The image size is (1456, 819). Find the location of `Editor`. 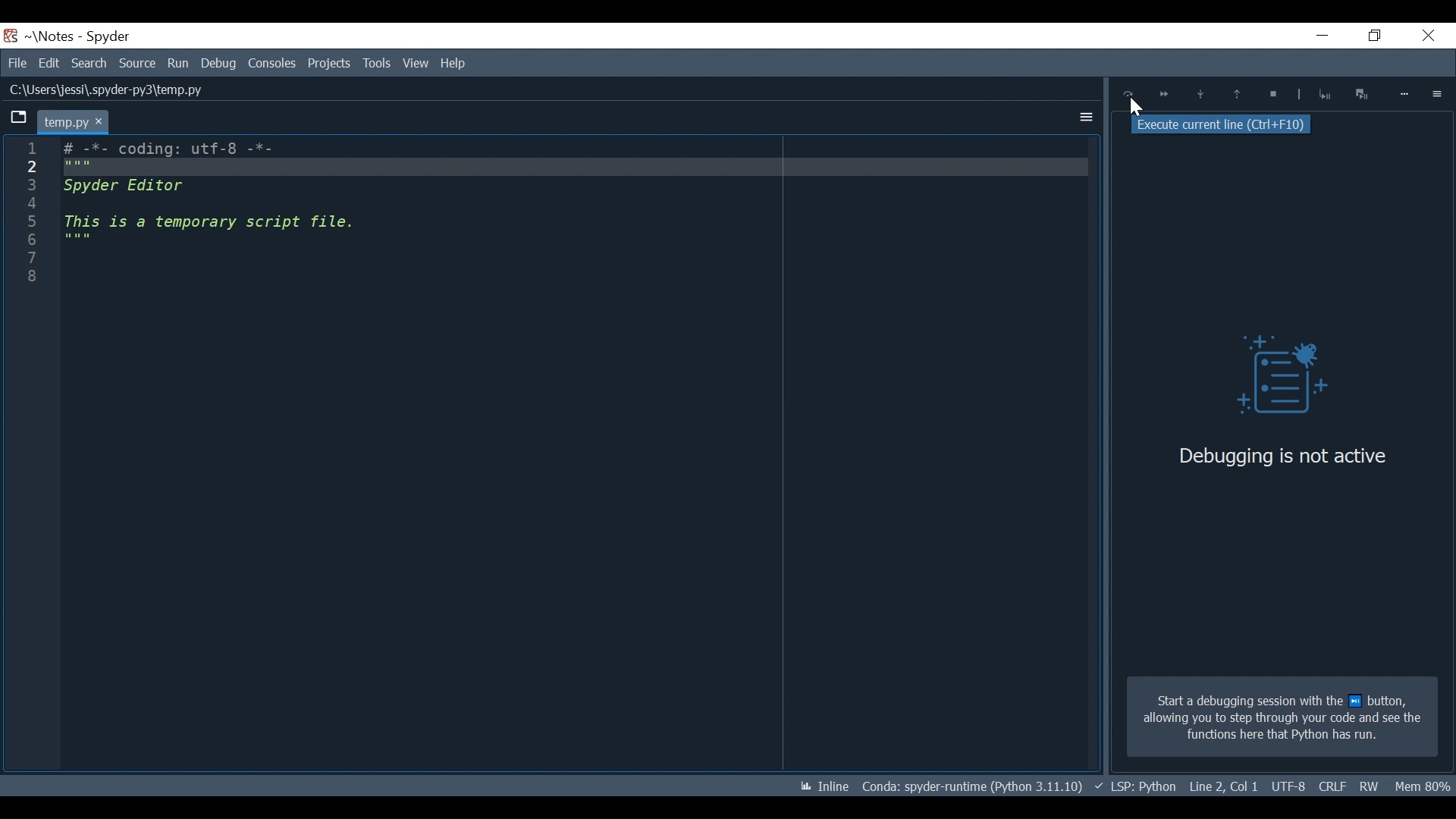

Editor is located at coordinates (256, 212).